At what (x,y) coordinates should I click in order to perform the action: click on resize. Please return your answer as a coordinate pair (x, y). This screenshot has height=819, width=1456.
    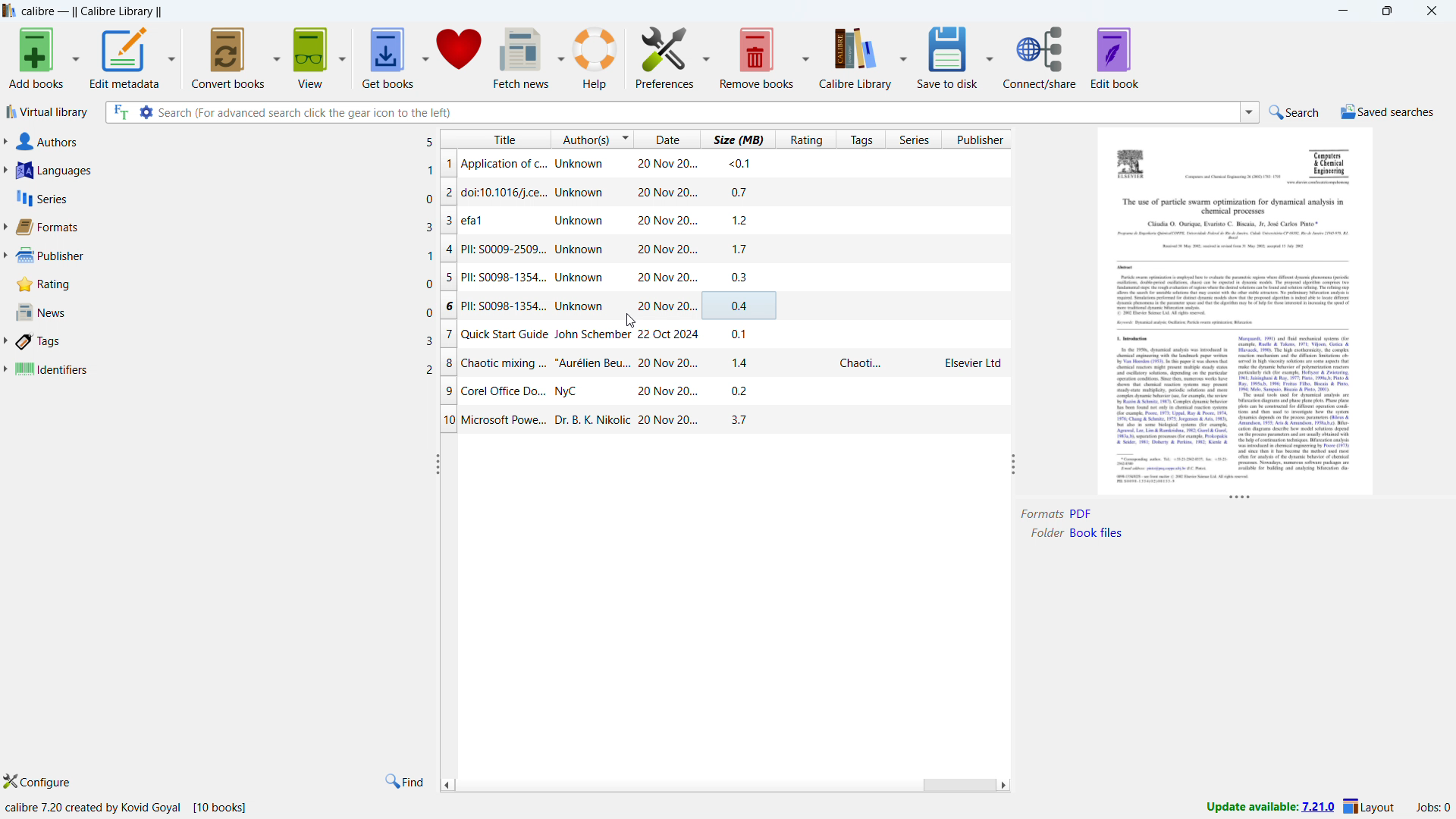
    Looking at the image, I should click on (1015, 463).